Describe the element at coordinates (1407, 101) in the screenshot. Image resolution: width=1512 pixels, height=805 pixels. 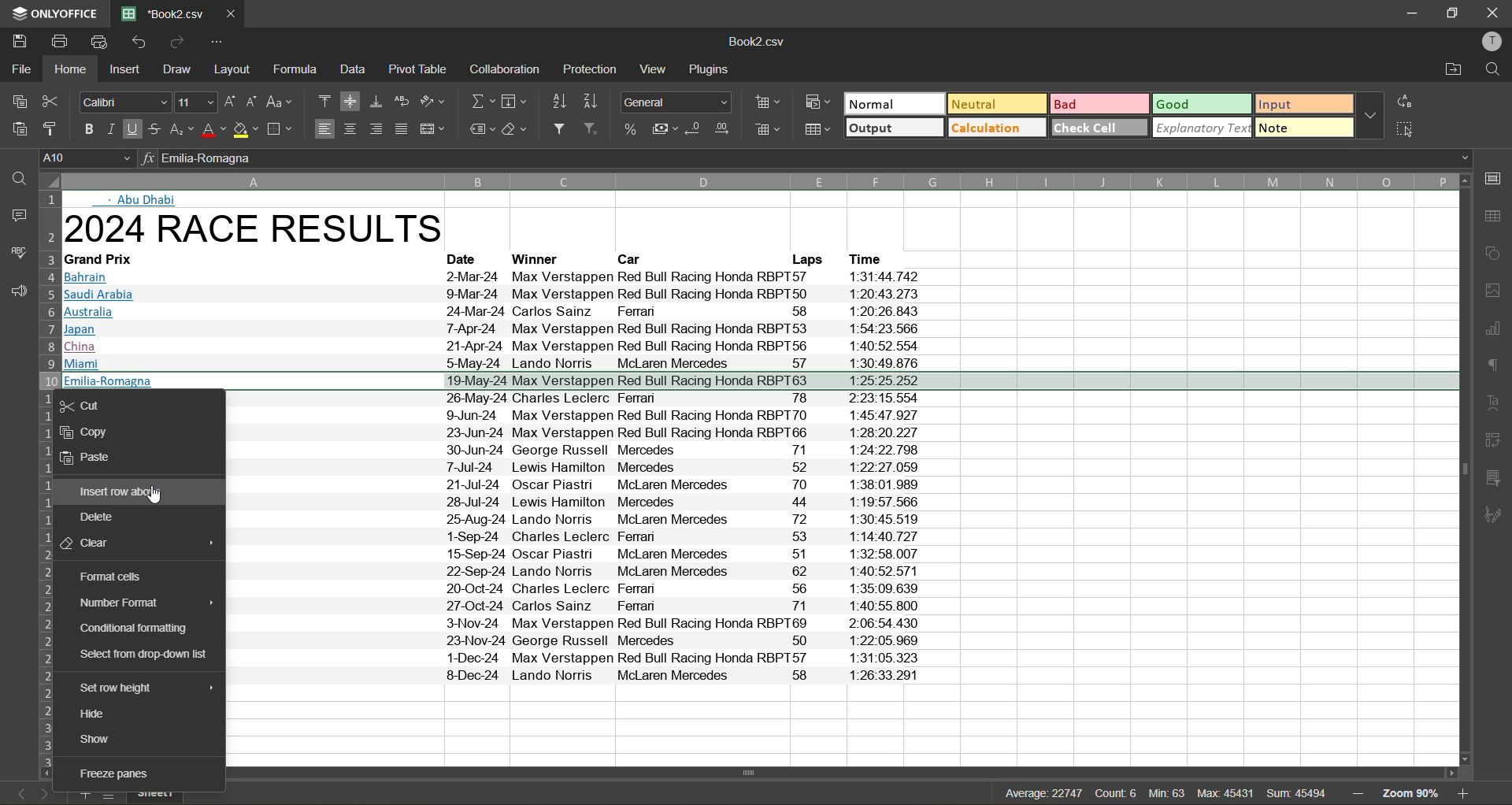
I see `replace` at that location.